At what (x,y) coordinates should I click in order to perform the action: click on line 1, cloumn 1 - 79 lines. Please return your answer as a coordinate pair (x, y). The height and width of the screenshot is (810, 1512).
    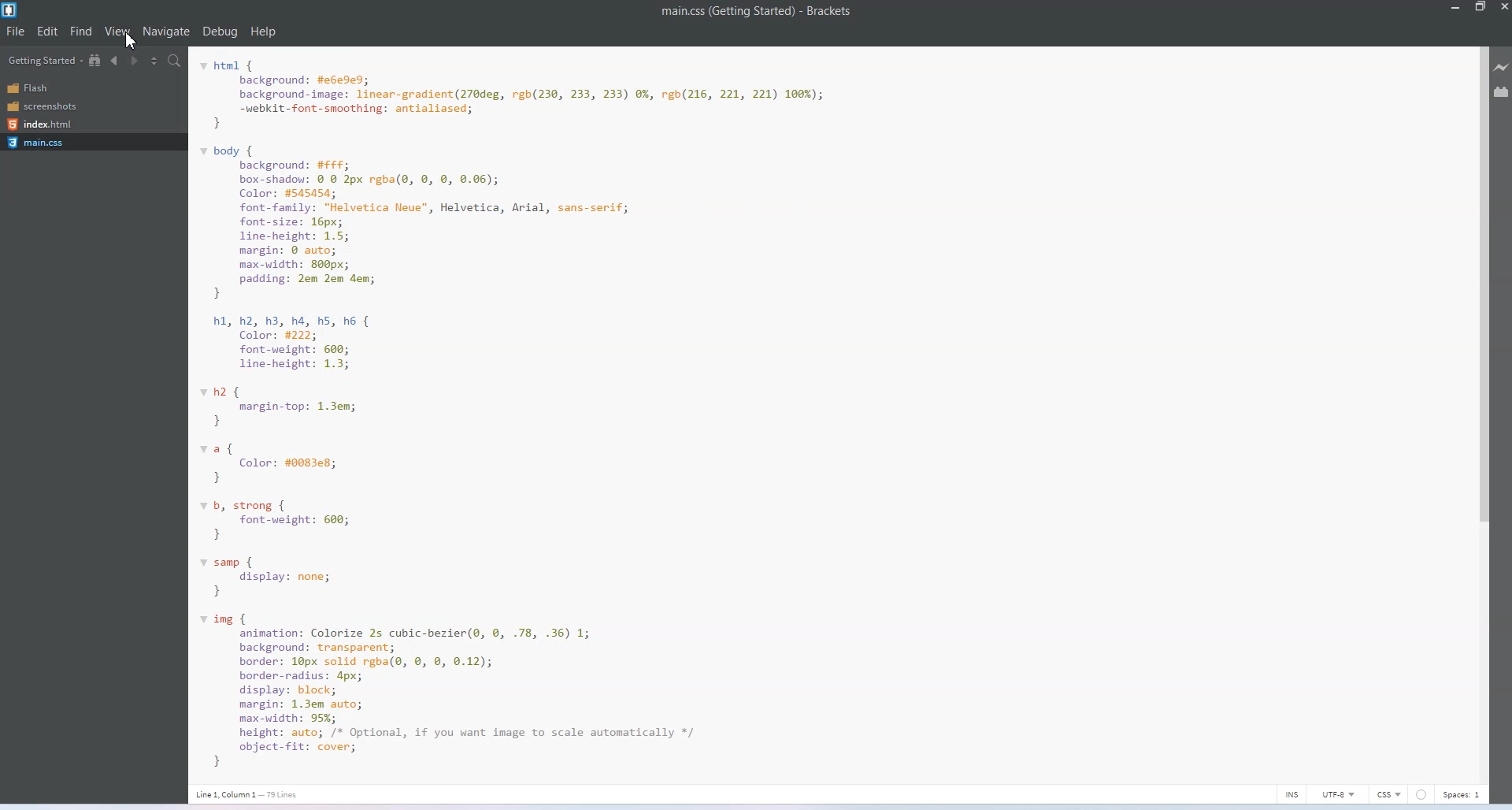
    Looking at the image, I should click on (243, 793).